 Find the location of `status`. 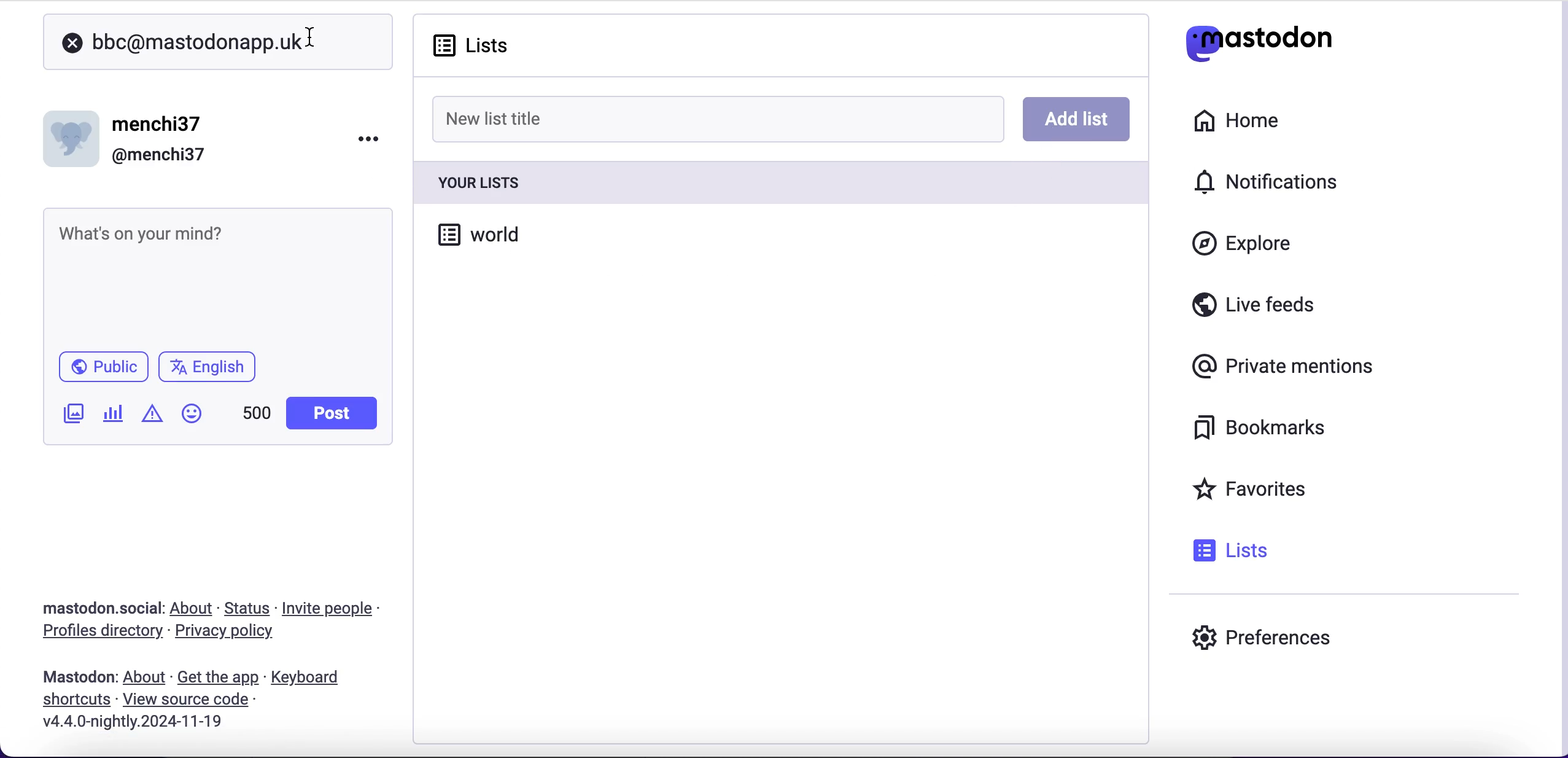

status is located at coordinates (249, 608).